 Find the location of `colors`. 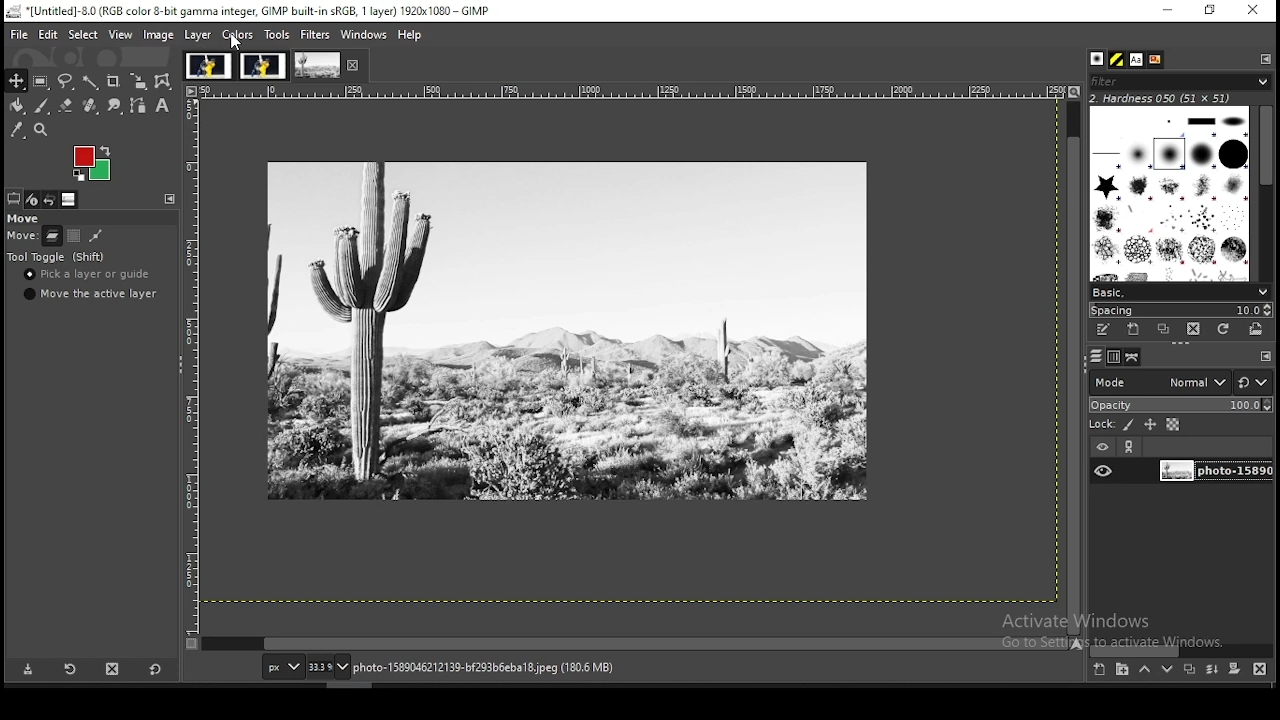

colors is located at coordinates (238, 35).